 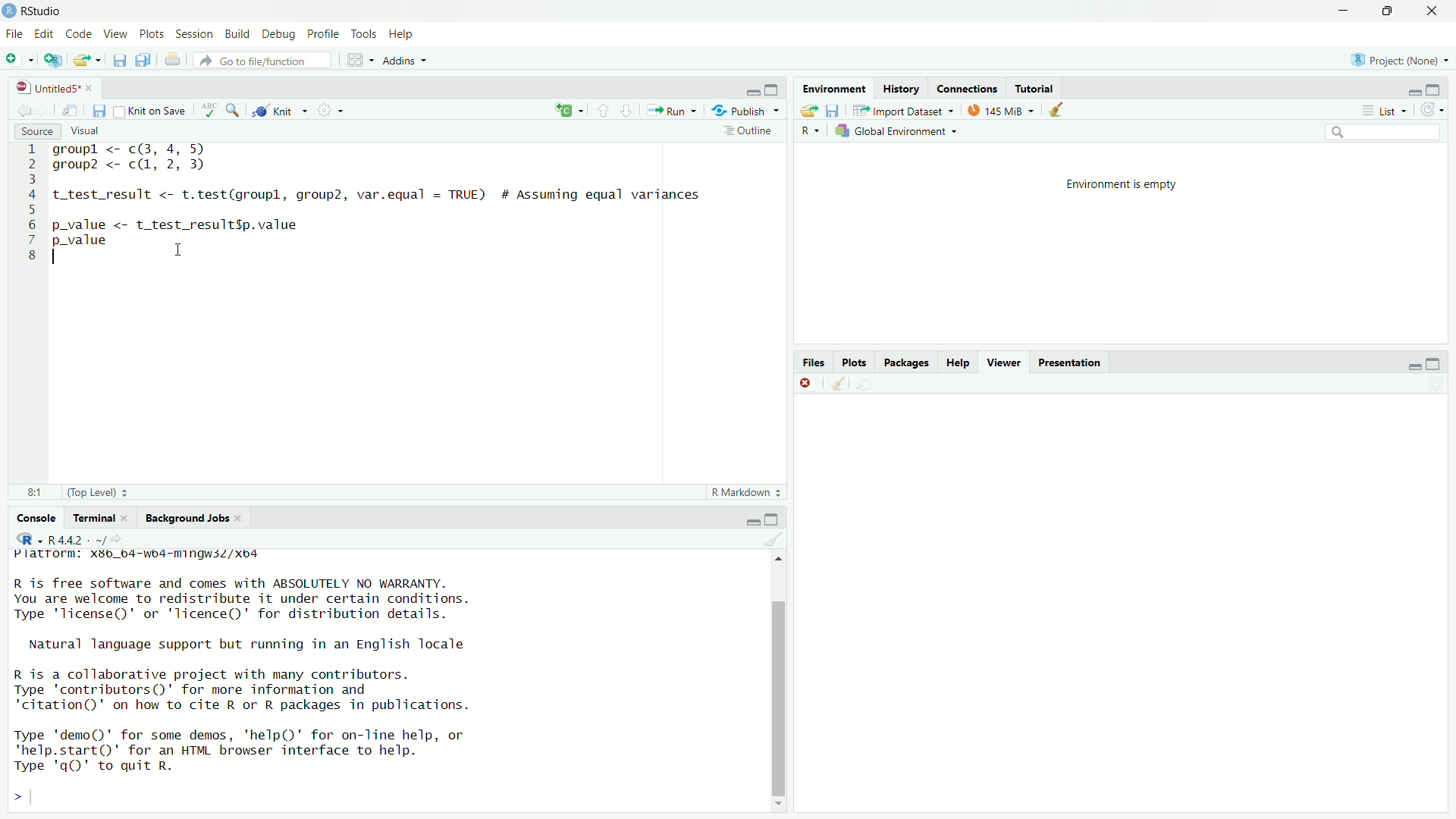 What do you see at coordinates (1413, 88) in the screenshot?
I see `minimise` at bounding box center [1413, 88].